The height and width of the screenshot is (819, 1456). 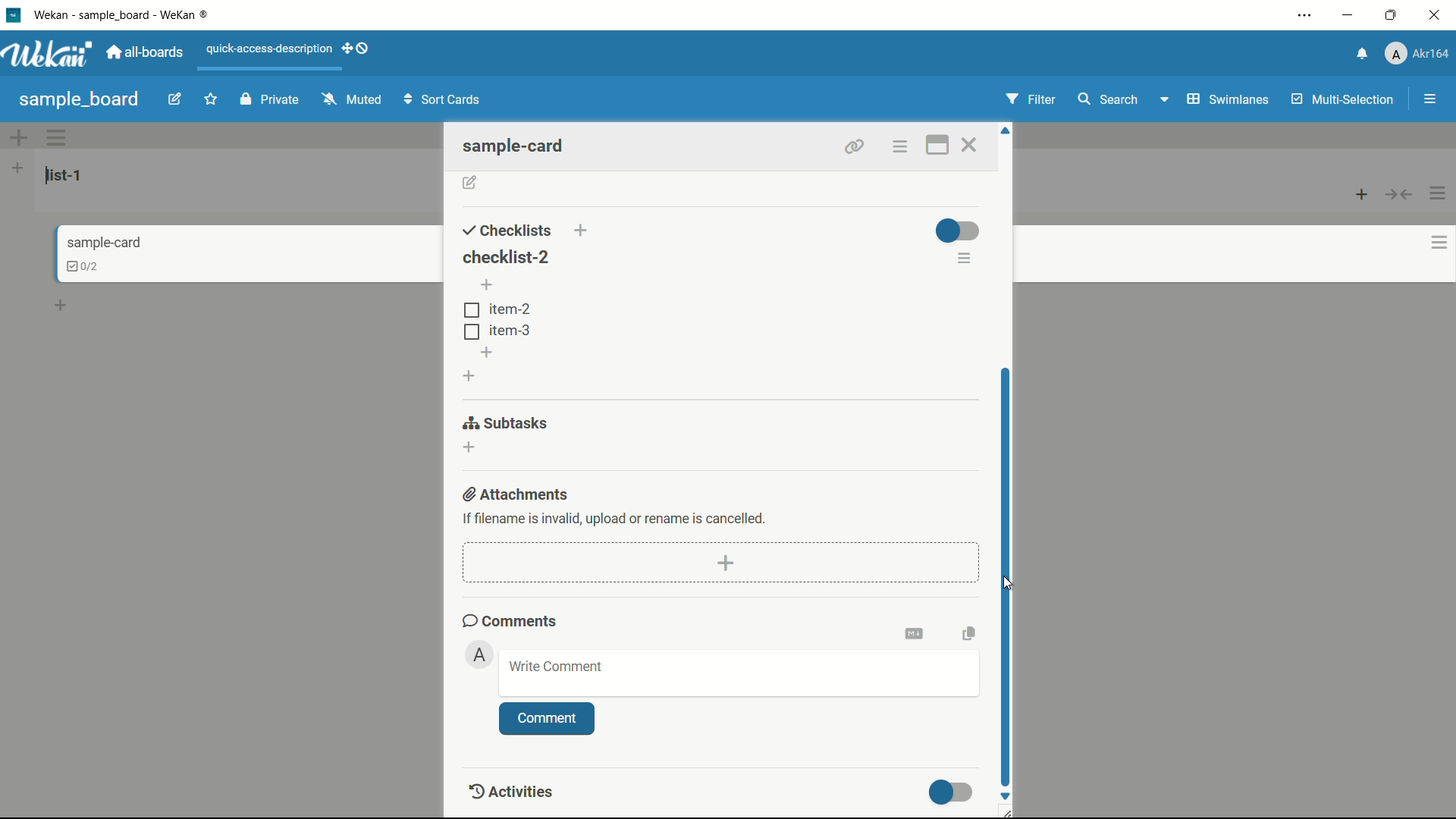 What do you see at coordinates (507, 423) in the screenshot?
I see `subtasks` at bounding box center [507, 423].